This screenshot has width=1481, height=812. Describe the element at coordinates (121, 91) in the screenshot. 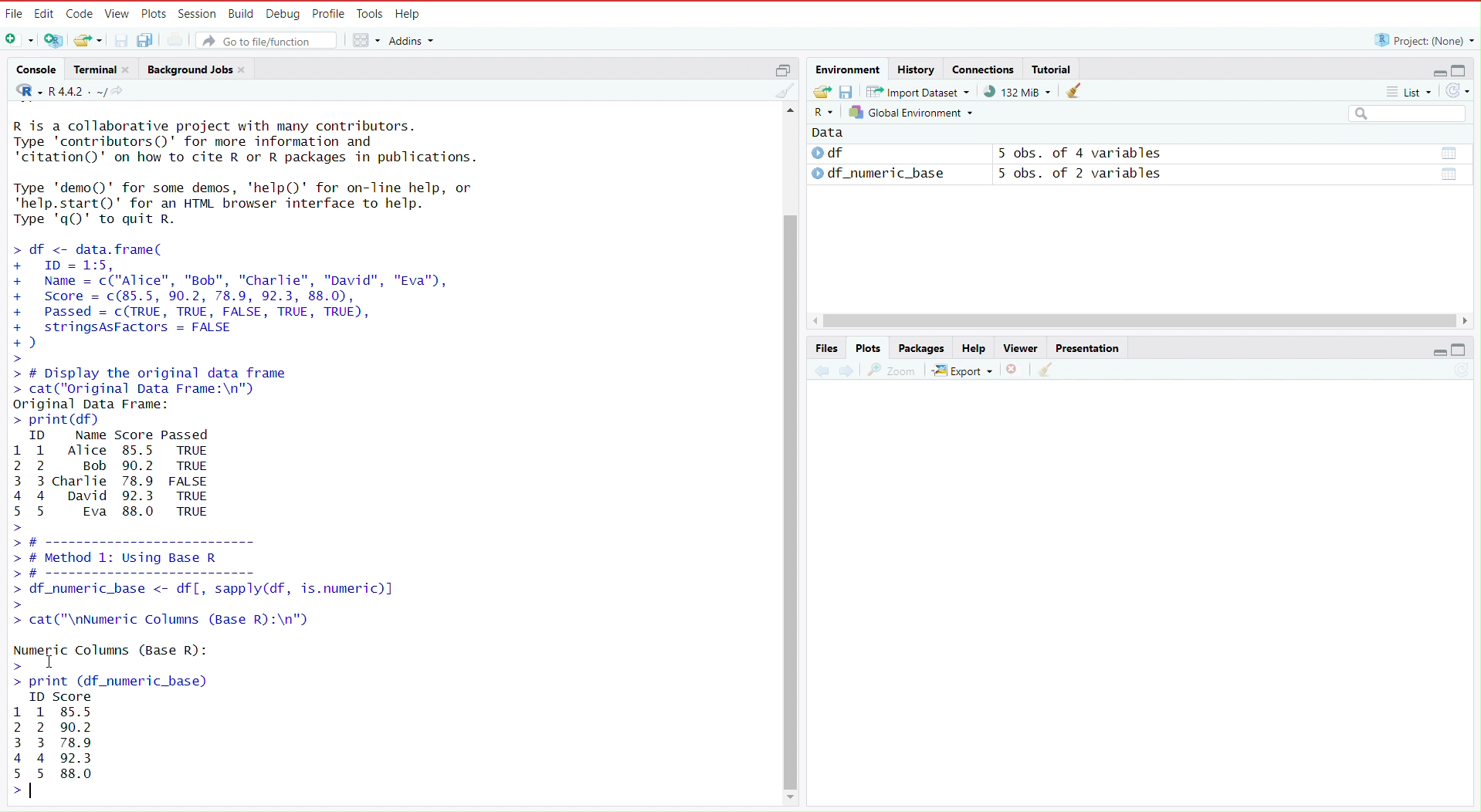

I see `view the current working directory` at that location.